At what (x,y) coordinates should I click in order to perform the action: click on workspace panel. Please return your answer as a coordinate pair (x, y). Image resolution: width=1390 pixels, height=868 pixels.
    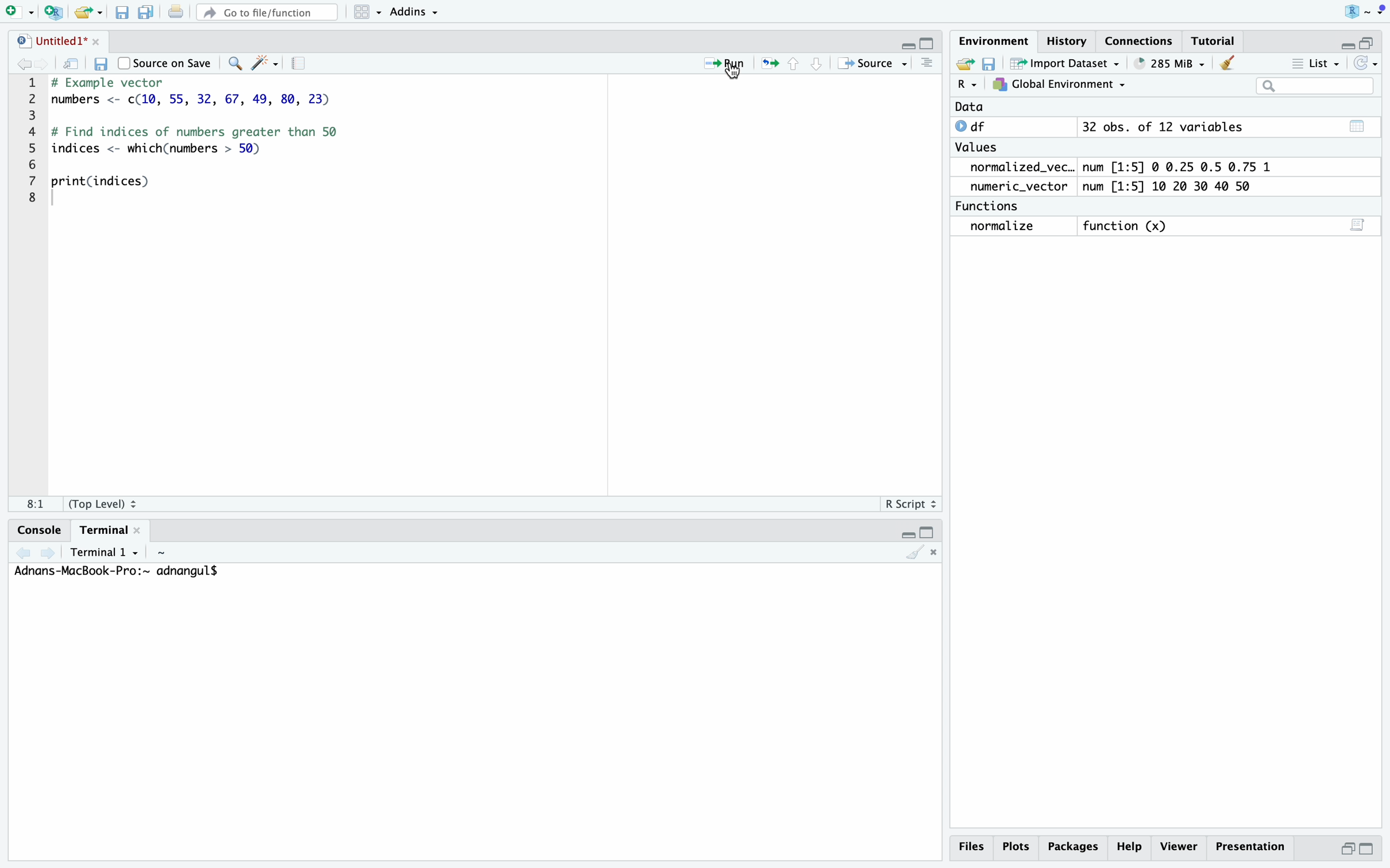
    Looking at the image, I should click on (362, 12).